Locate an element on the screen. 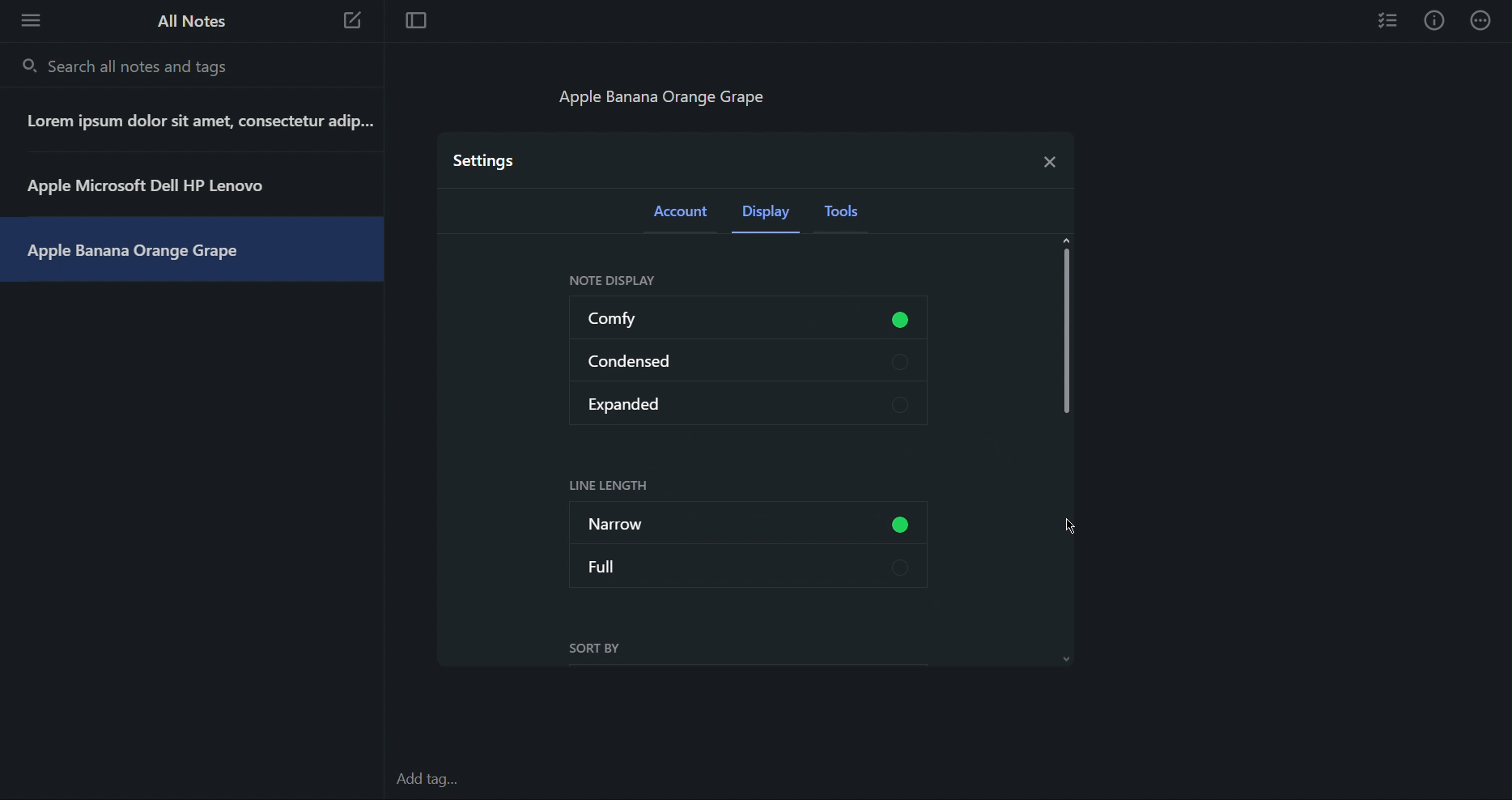 Image resolution: width=1512 pixels, height=800 pixels. Apple Banana Orange Grape is located at coordinates (661, 96).